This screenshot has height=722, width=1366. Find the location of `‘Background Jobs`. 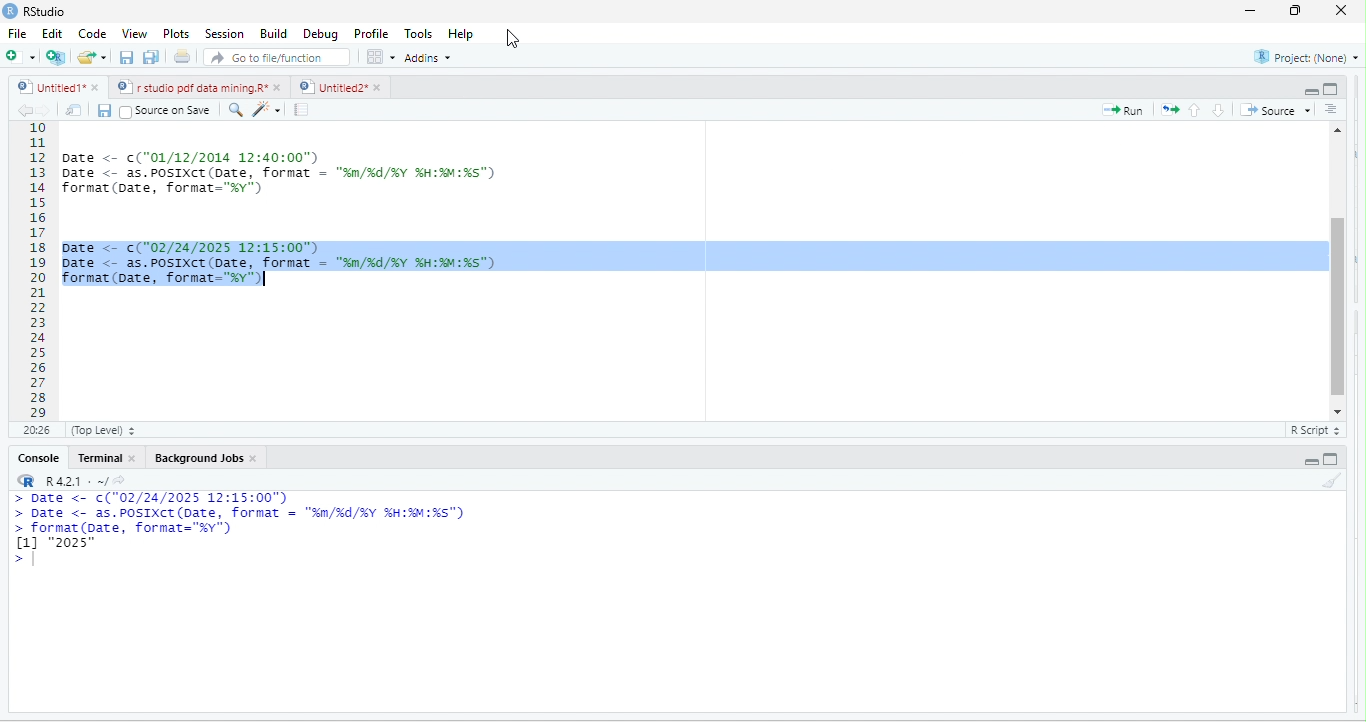

‘Background Jobs is located at coordinates (197, 459).